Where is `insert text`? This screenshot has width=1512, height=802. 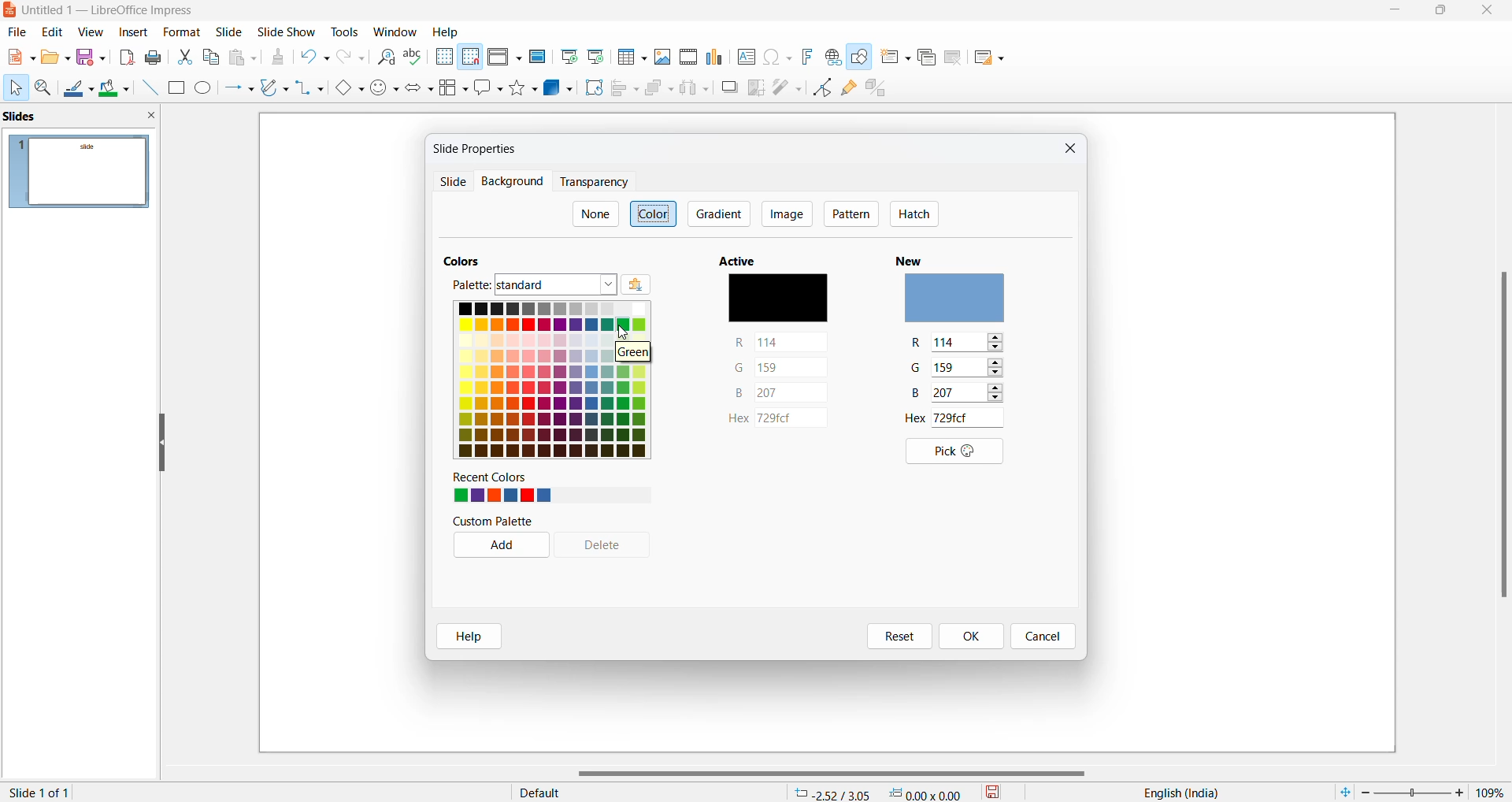 insert text is located at coordinates (745, 56).